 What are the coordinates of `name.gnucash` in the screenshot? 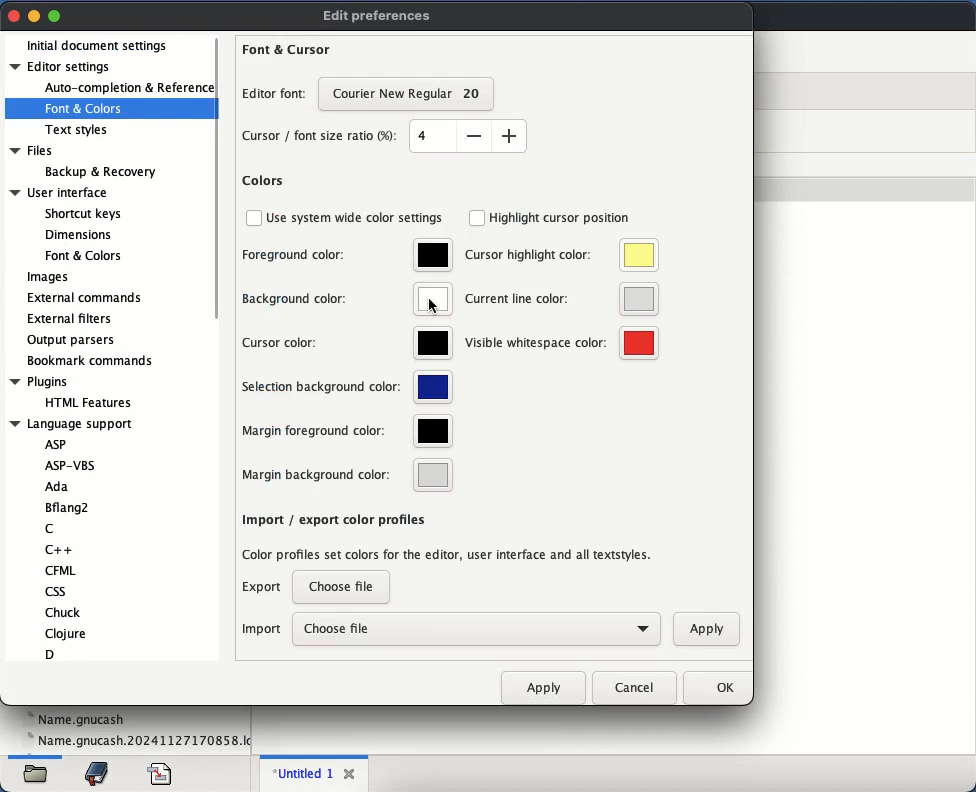 It's located at (137, 741).